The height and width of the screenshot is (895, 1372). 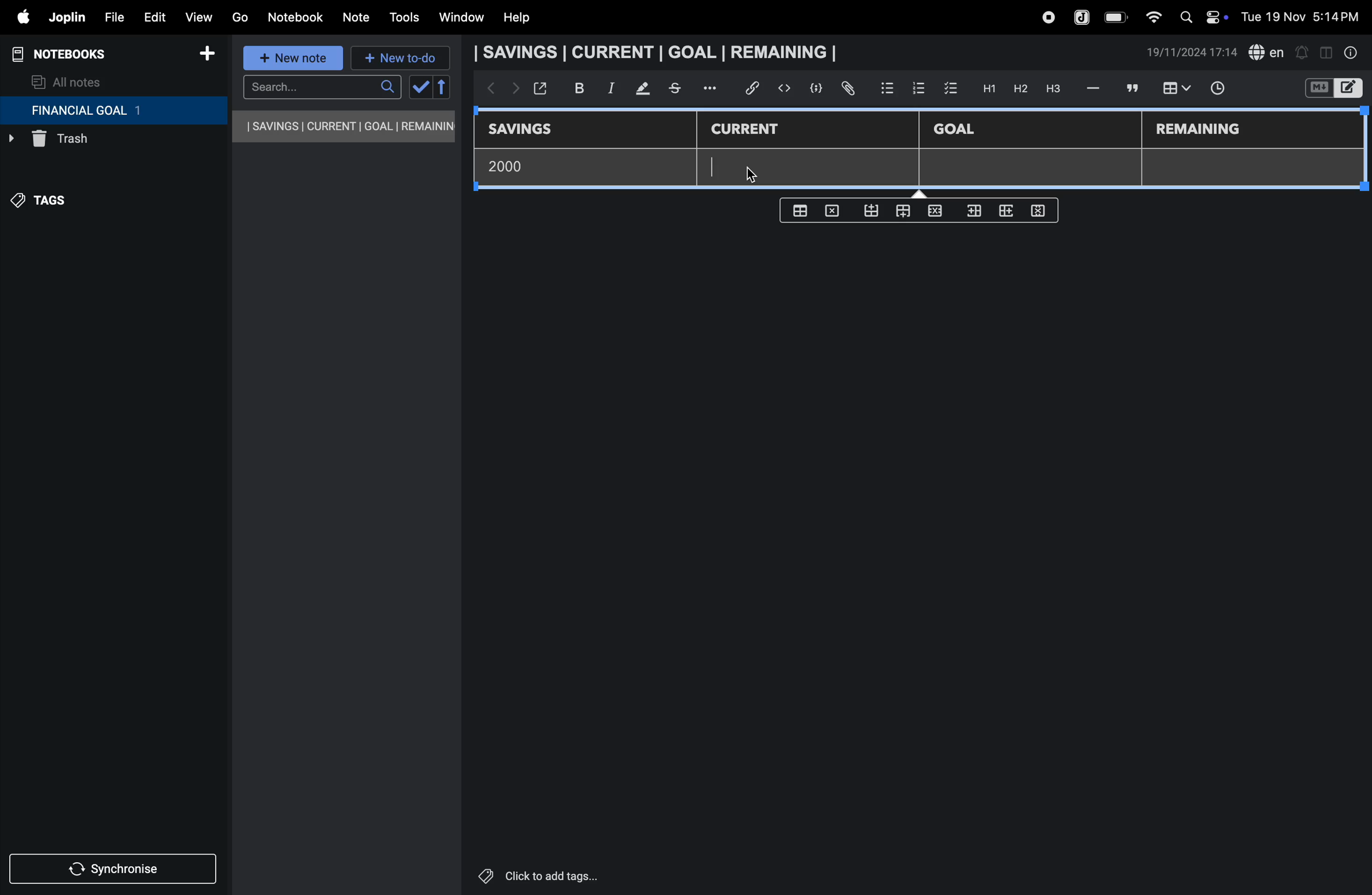 I want to click on alert, so click(x=1301, y=52).